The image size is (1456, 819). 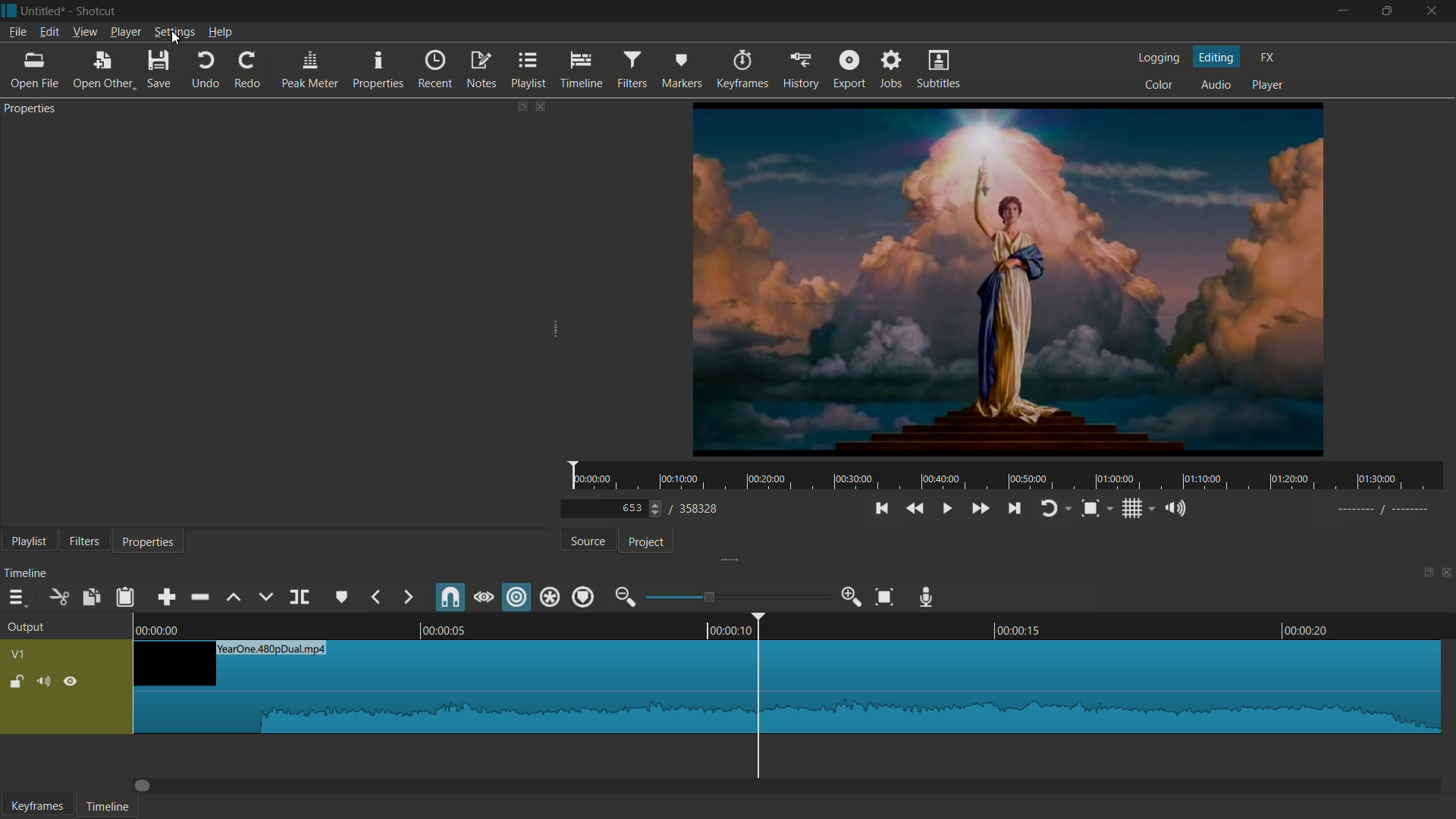 What do you see at coordinates (1020, 626) in the screenshot?
I see `00.0015` at bounding box center [1020, 626].